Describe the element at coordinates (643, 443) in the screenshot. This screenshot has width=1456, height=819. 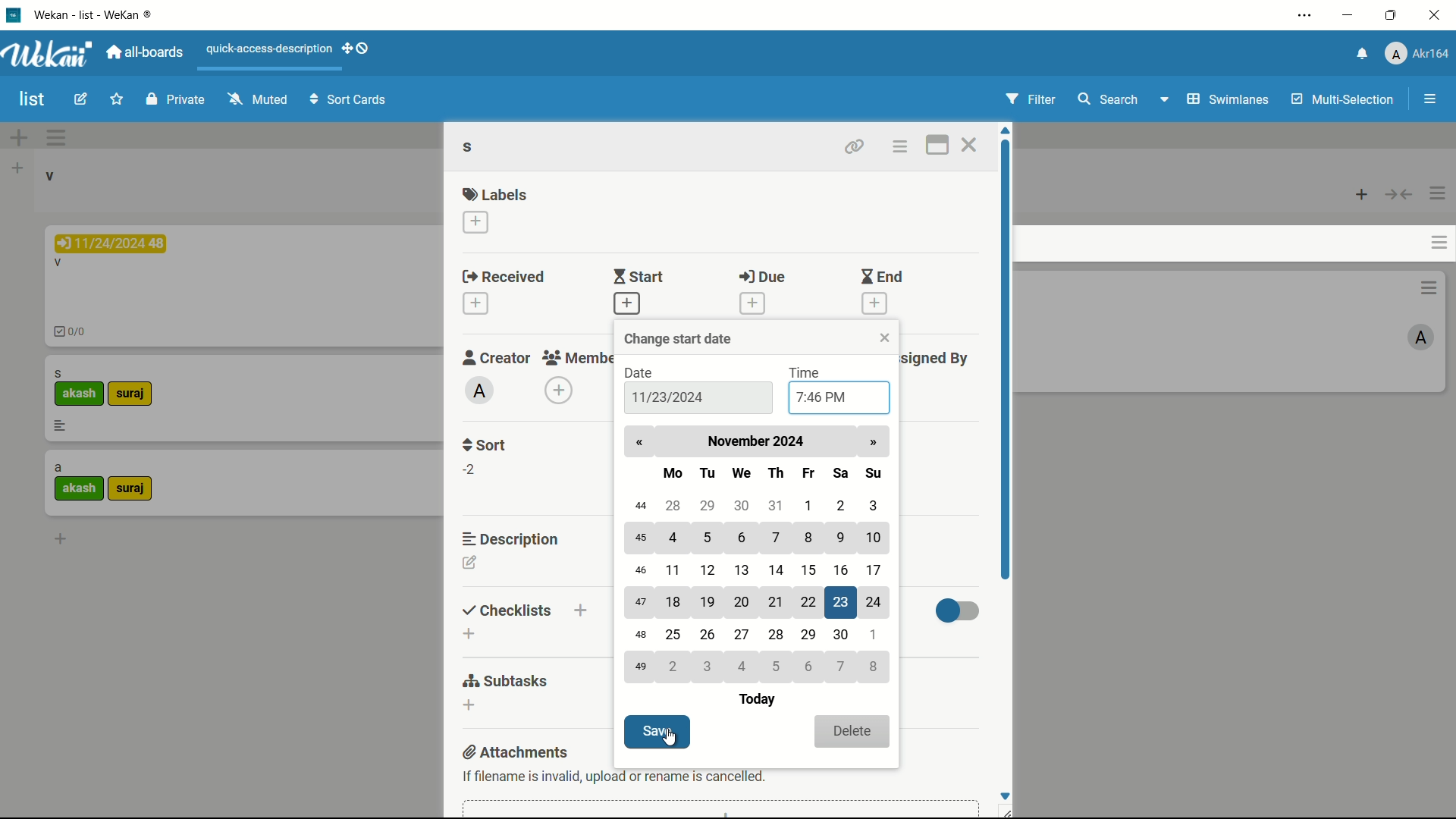
I see `previous` at that location.